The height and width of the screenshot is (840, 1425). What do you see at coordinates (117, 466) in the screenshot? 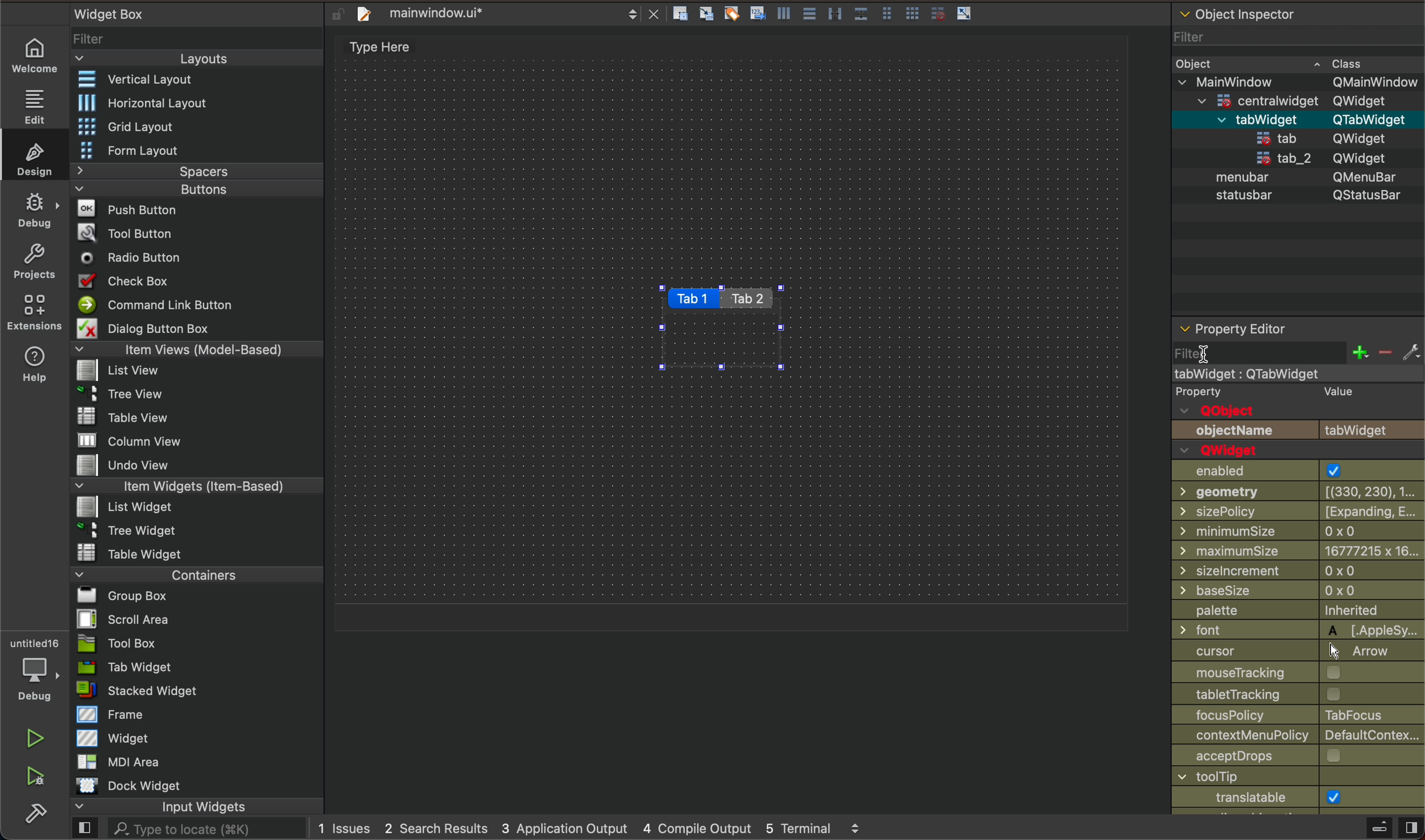
I see `Undo View` at bounding box center [117, 466].